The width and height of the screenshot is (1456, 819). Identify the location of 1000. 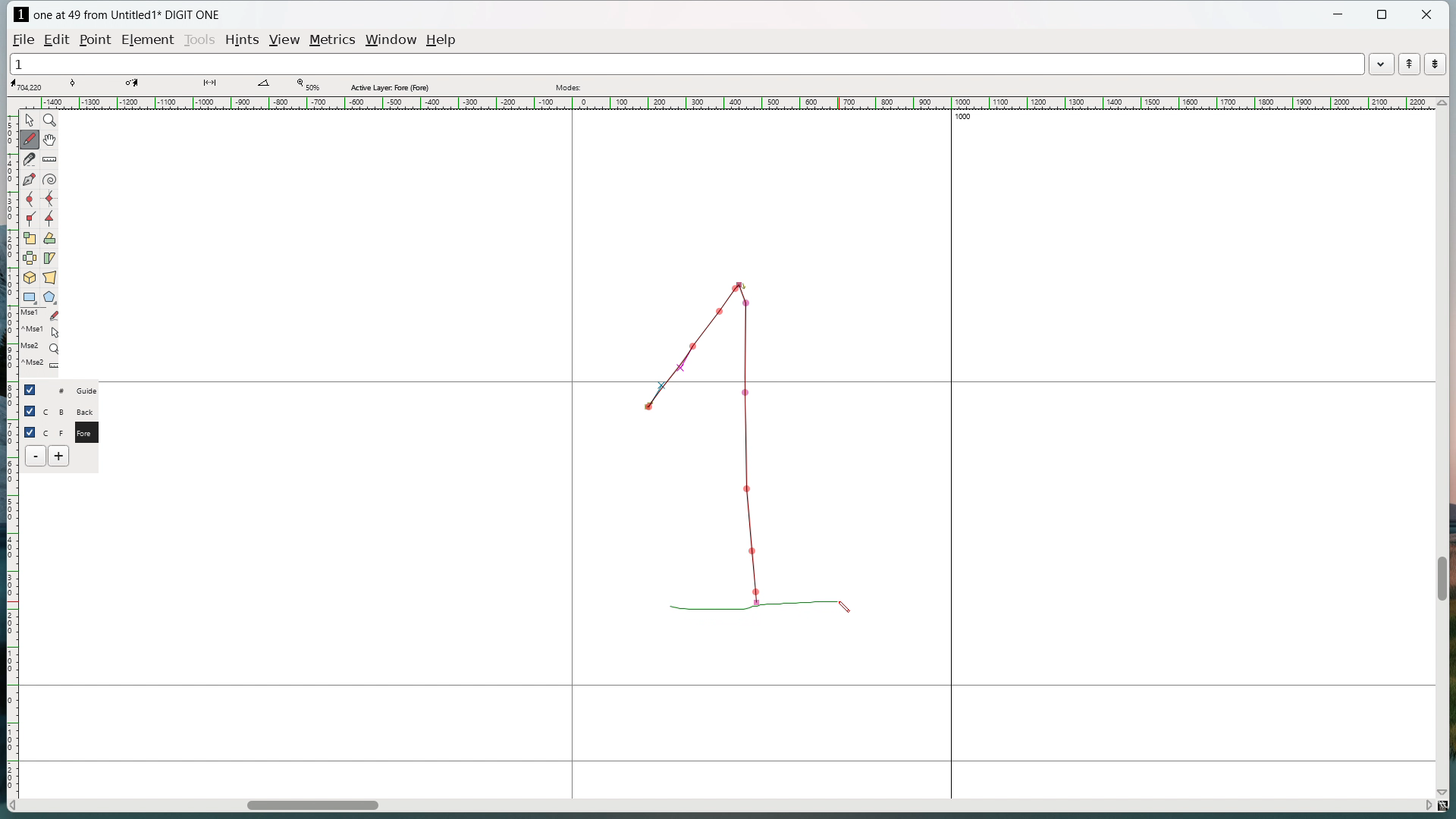
(970, 118).